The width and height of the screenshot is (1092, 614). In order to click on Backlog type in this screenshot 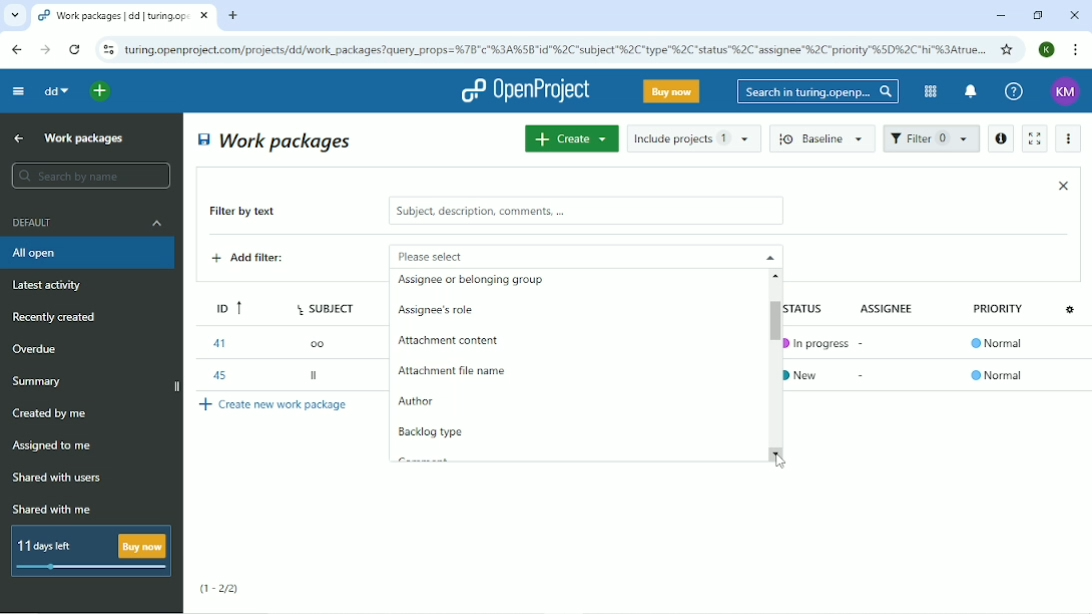, I will do `click(433, 432)`.